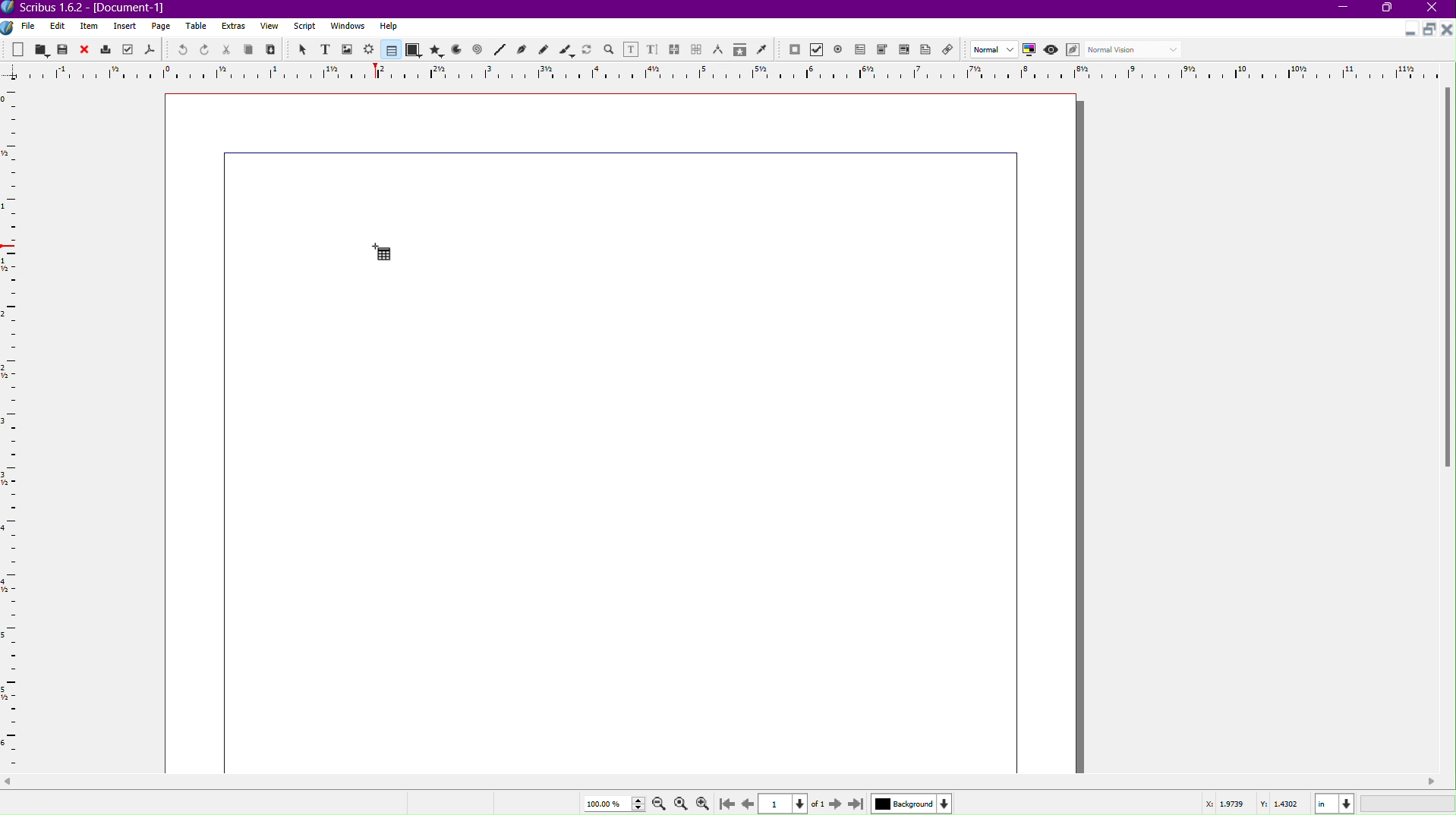  What do you see at coordinates (162, 27) in the screenshot?
I see `Page` at bounding box center [162, 27].